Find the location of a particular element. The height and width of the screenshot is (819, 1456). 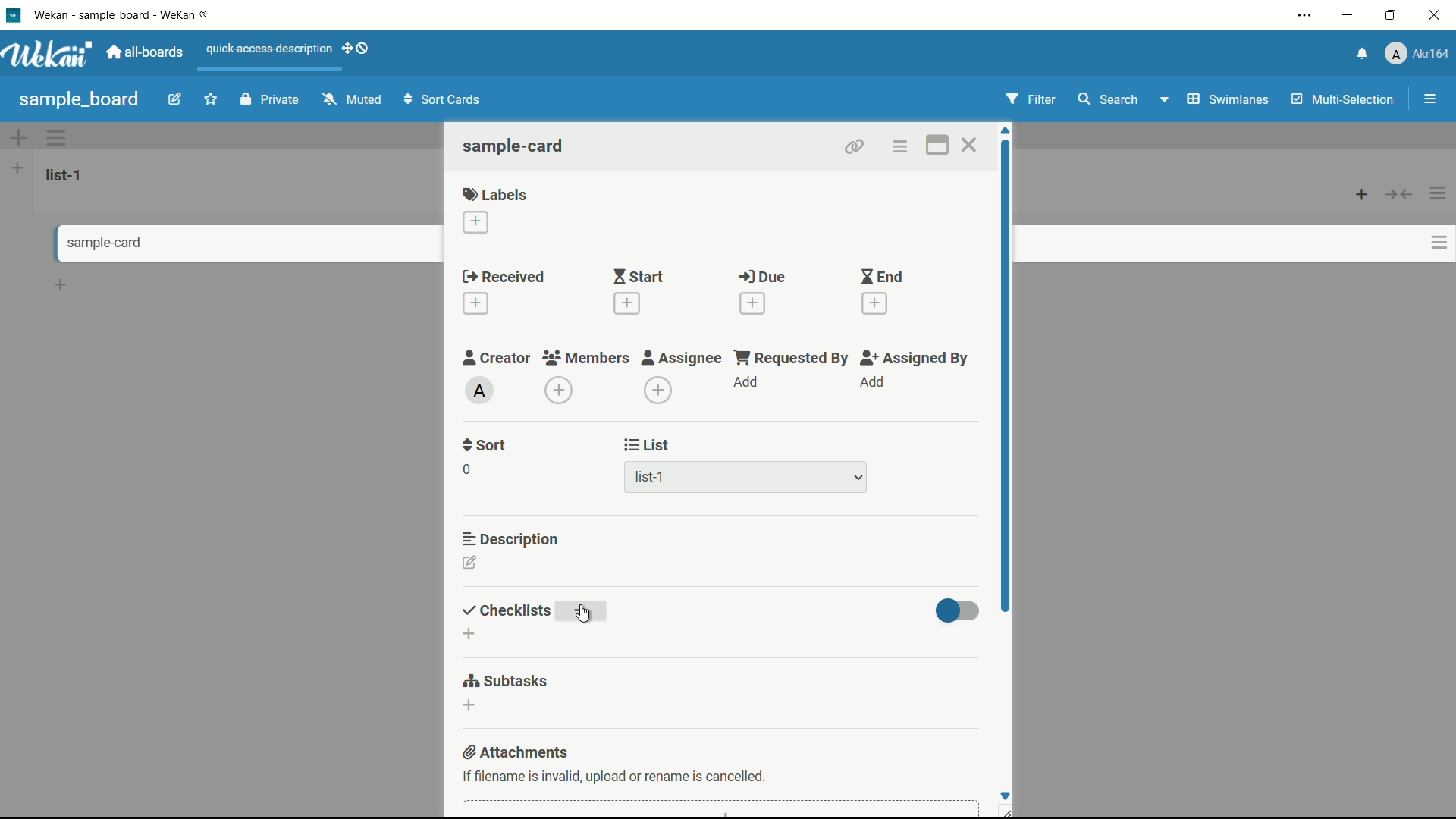

private is located at coordinates (270, 101).